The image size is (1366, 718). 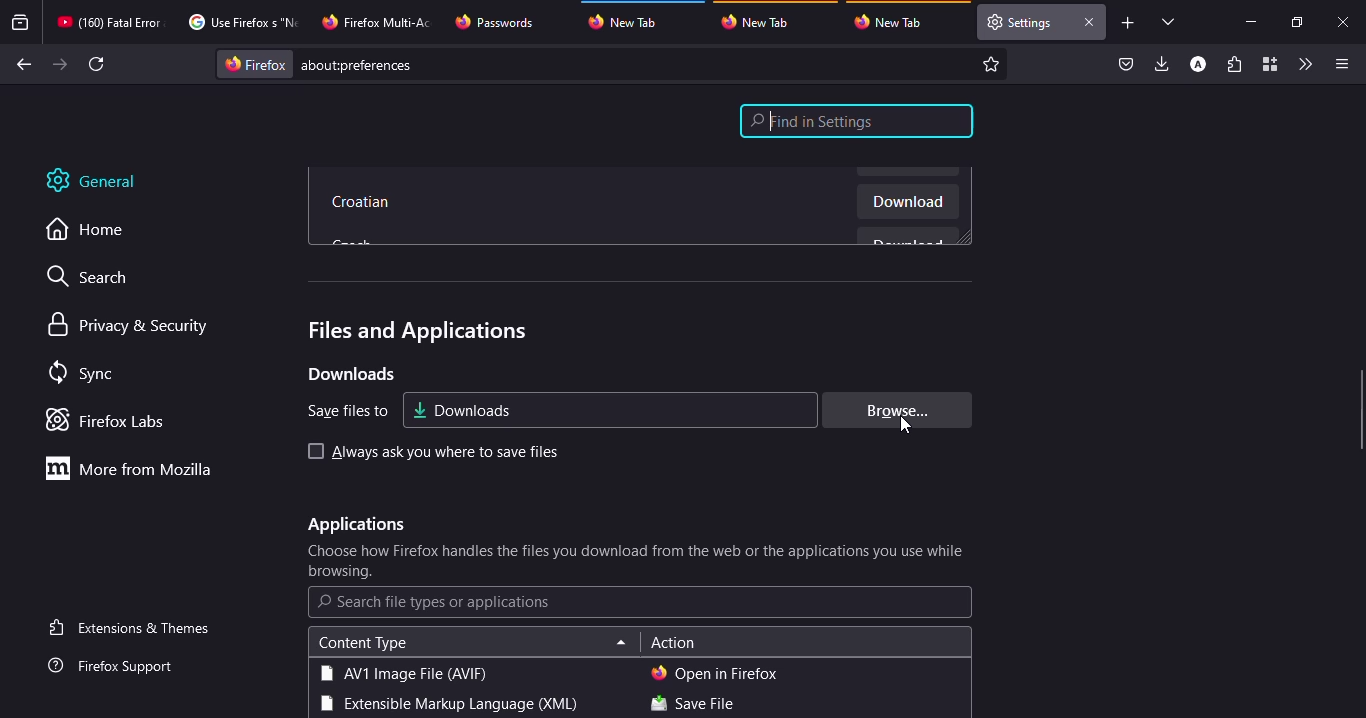 I want to click on add tab, so click(x=1128, y=23).